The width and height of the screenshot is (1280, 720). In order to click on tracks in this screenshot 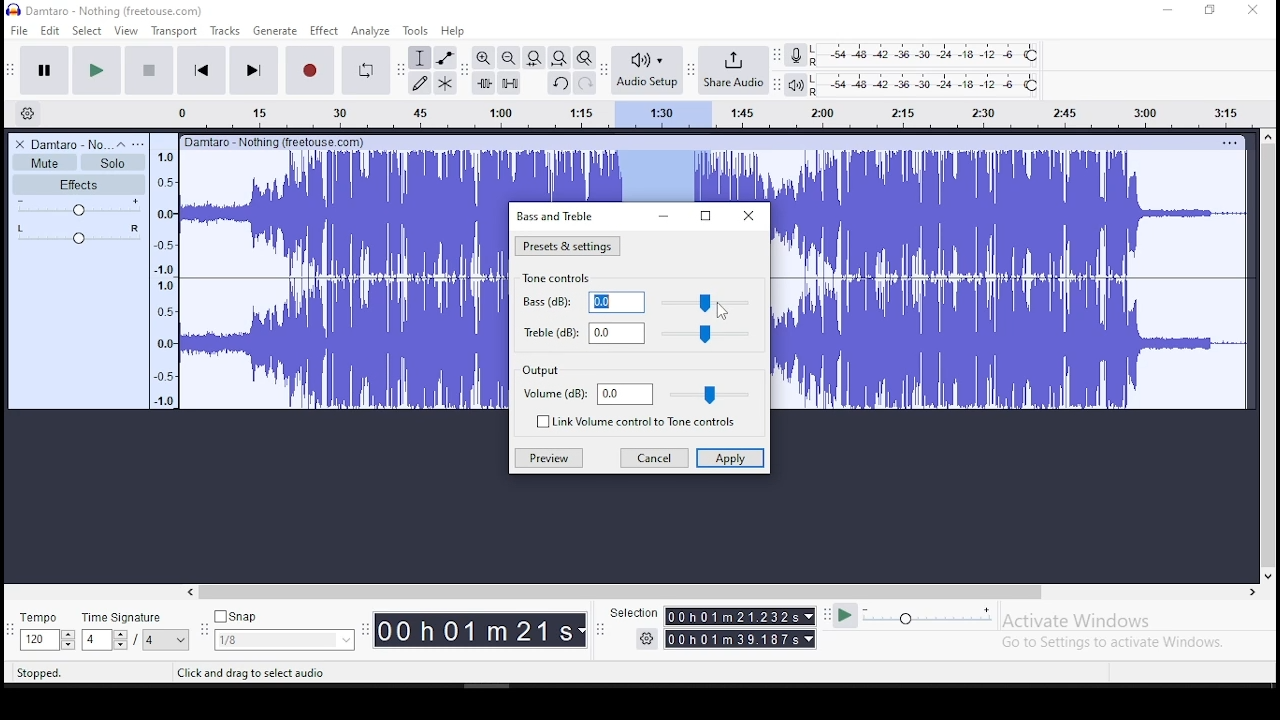, I will do `click(227, 31)`.